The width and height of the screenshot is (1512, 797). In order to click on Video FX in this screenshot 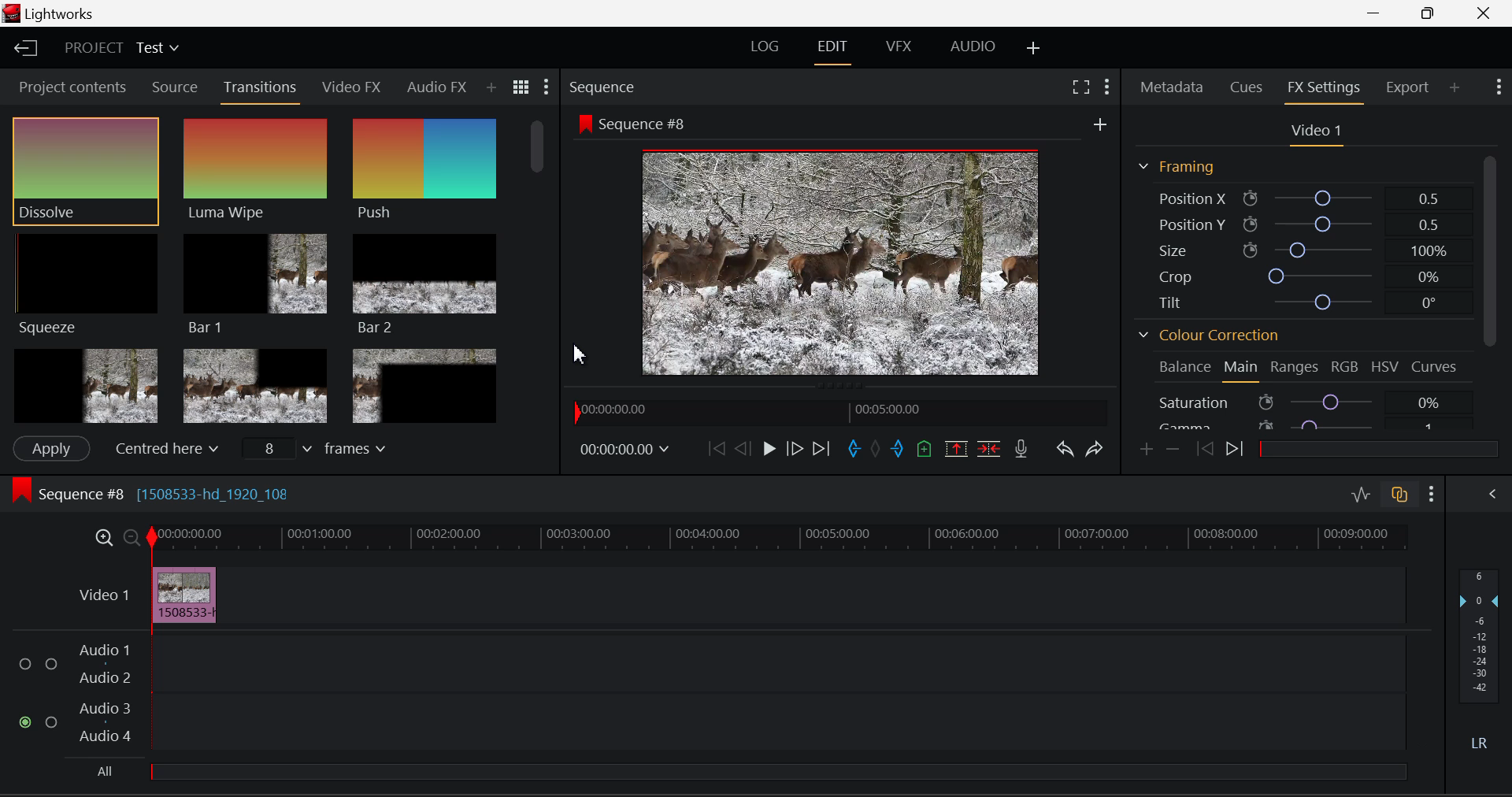, I will do `click(353, 88)`.